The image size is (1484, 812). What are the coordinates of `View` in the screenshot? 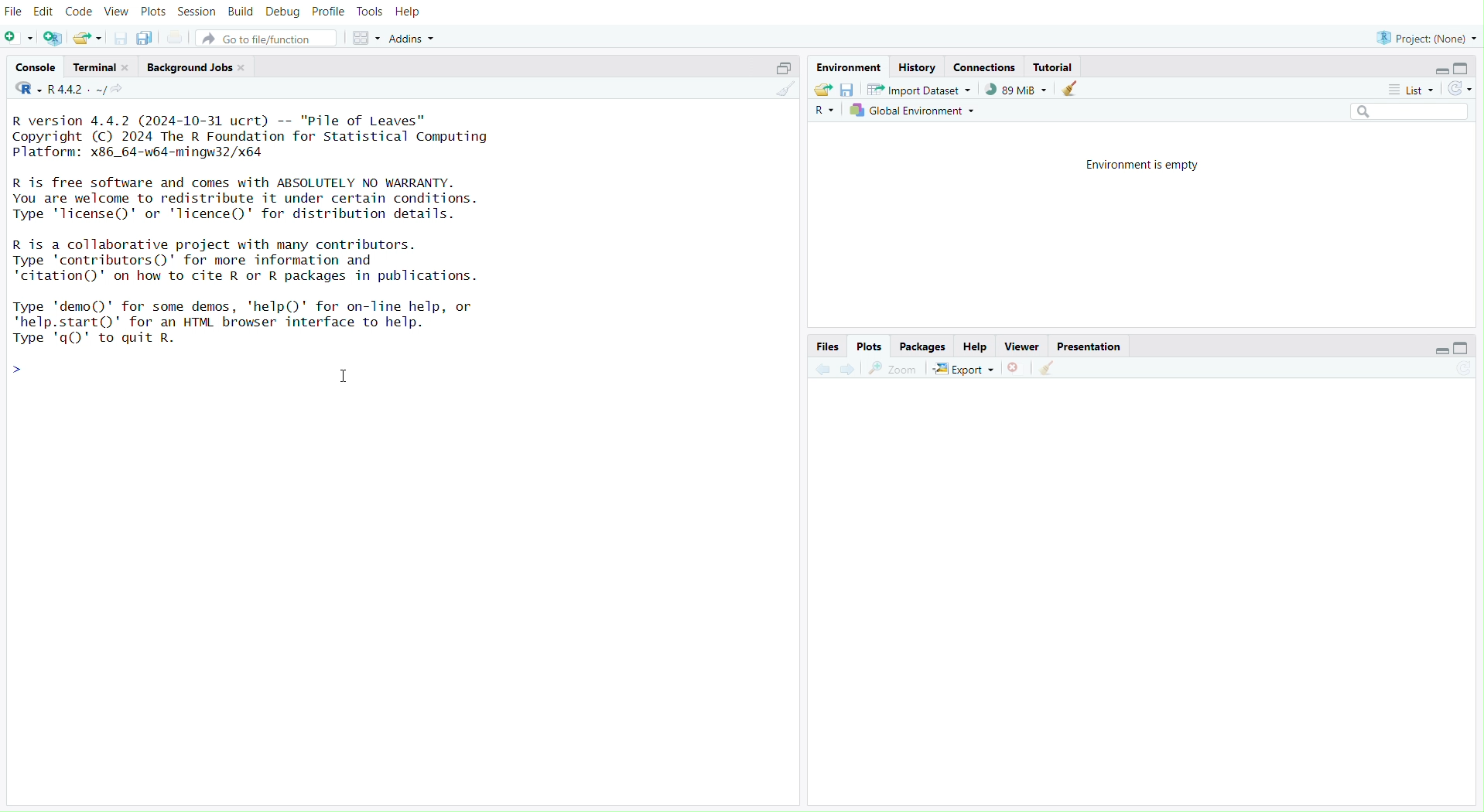 It's located at (115, 12).